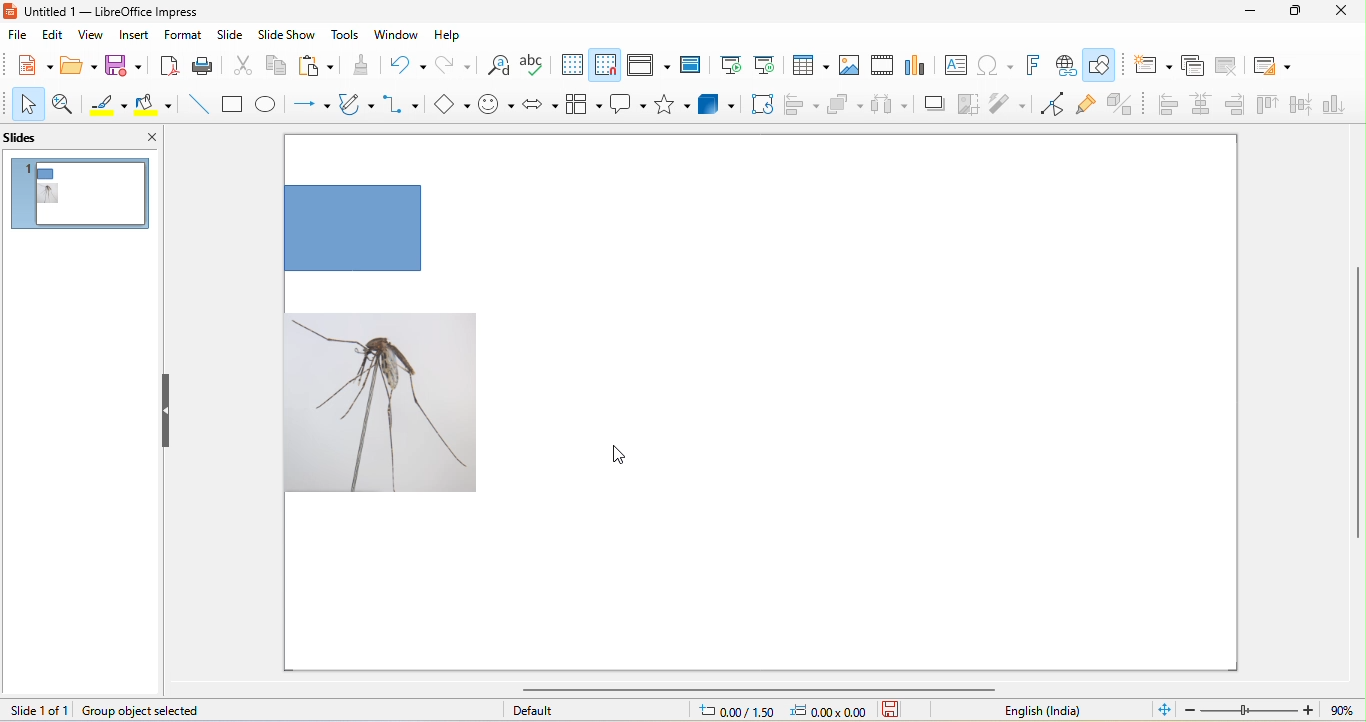 Image resolution: width=1366 pixels, height=722 pixels. Describe the element at coordinates (572, 64) in the screenshot. I see `display grid` at that location.